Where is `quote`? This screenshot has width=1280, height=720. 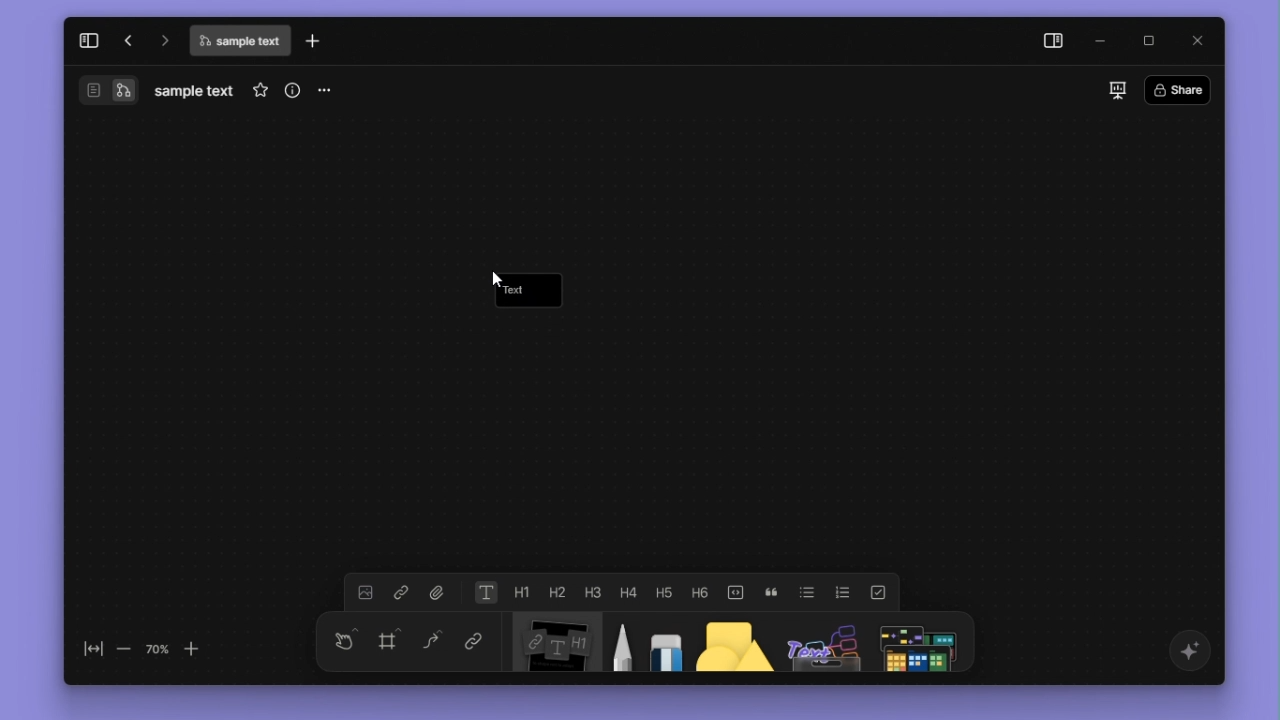
quote is located at coordinates (773, 591).